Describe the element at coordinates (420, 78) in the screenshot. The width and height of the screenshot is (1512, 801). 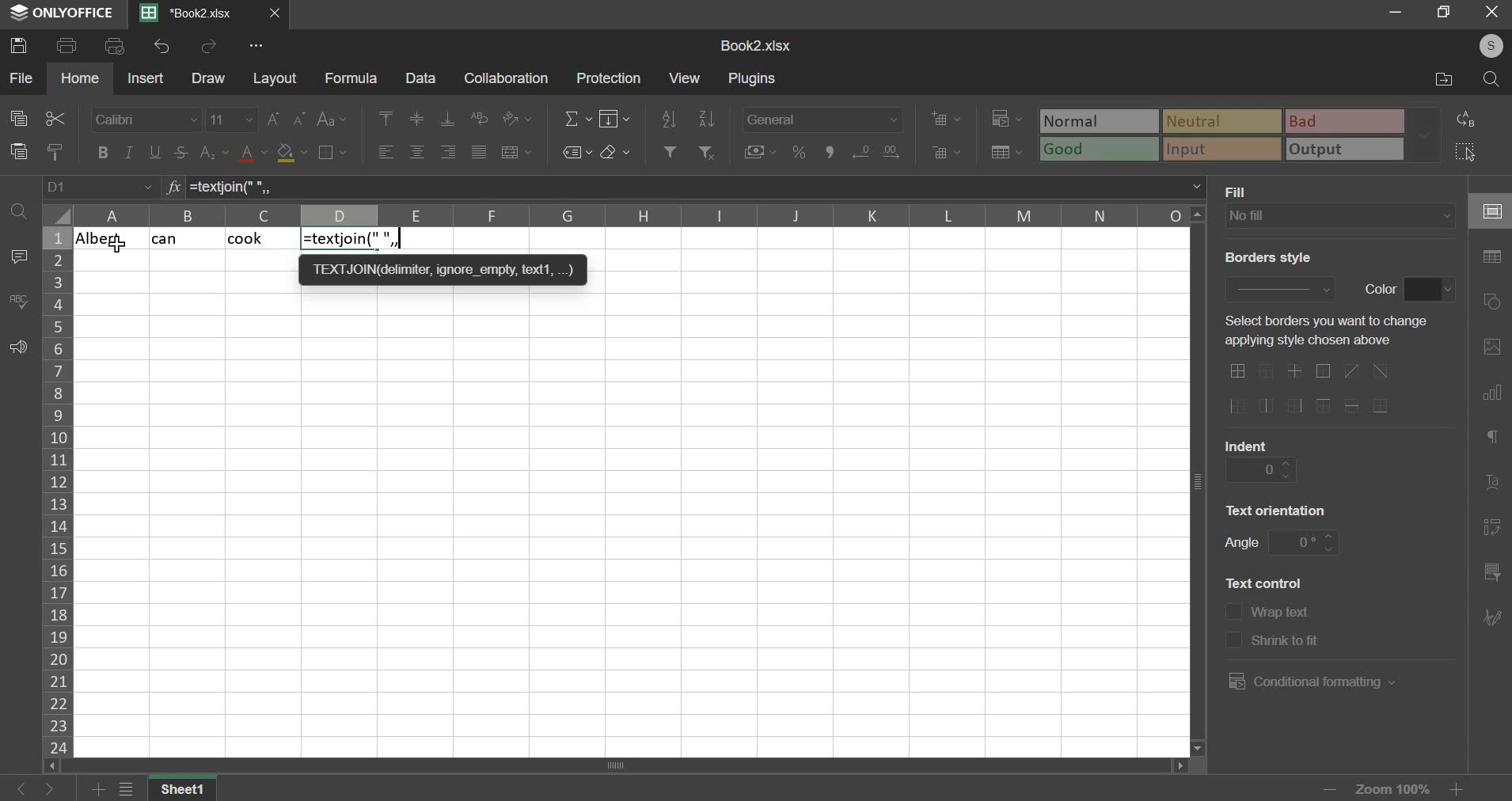
I see `data` at that location.